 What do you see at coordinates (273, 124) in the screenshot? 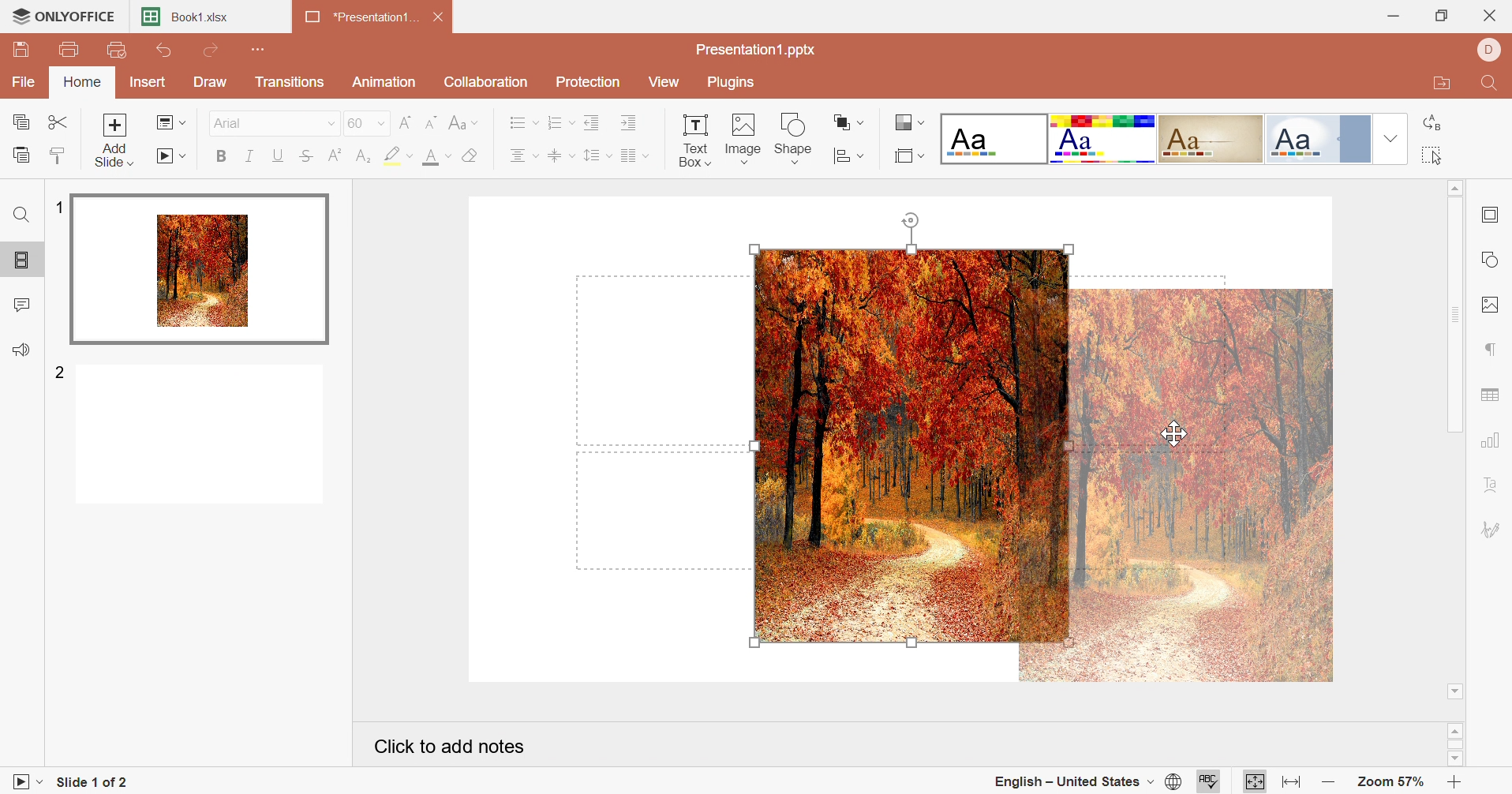
I see `Arial` at bounding box center [273, 124].